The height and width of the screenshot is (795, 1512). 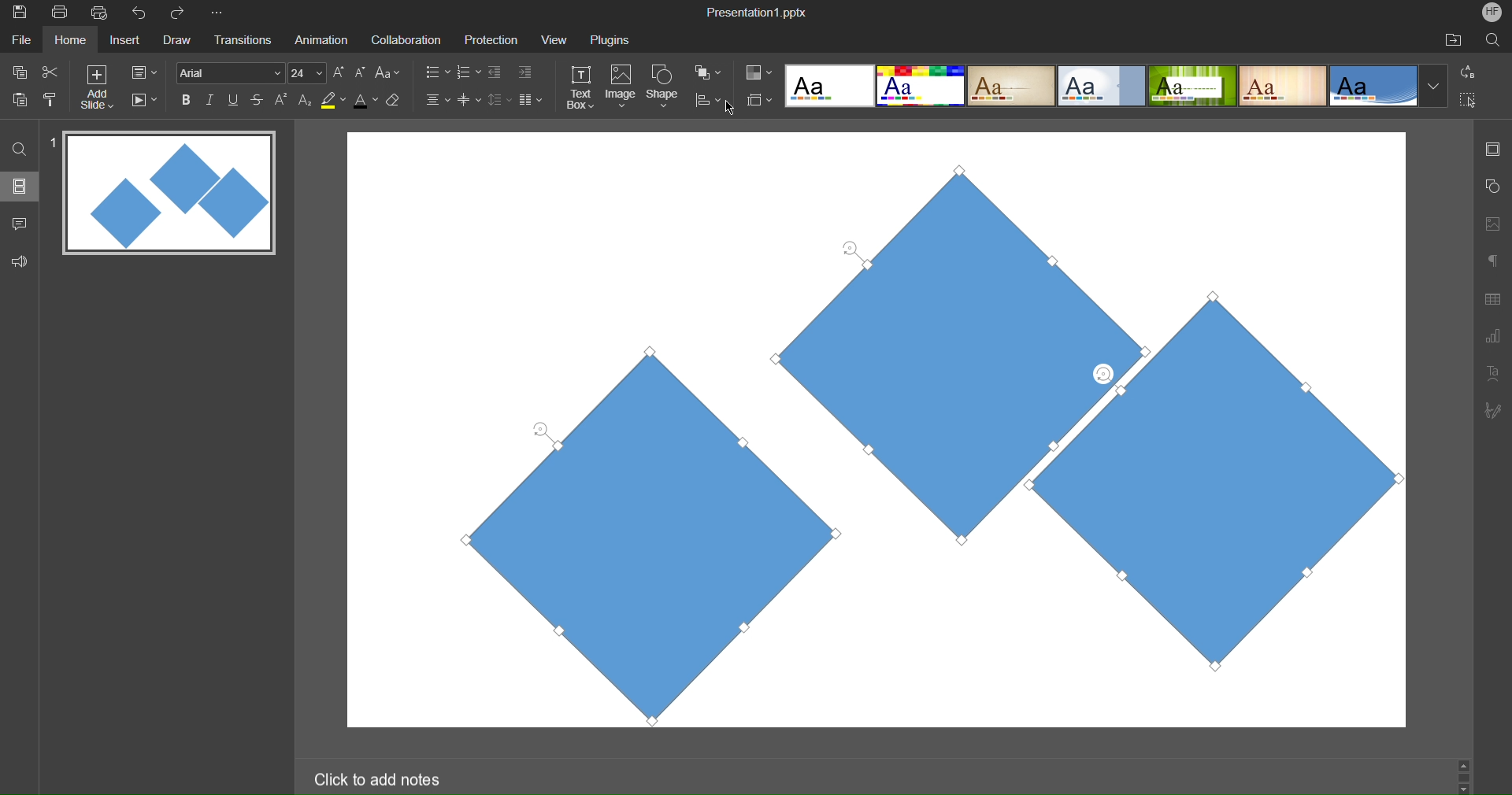 What do you see at coordinates (1463, 775) in the screenshot?
I see `scrollbar` at bounding box center [1463, 775].